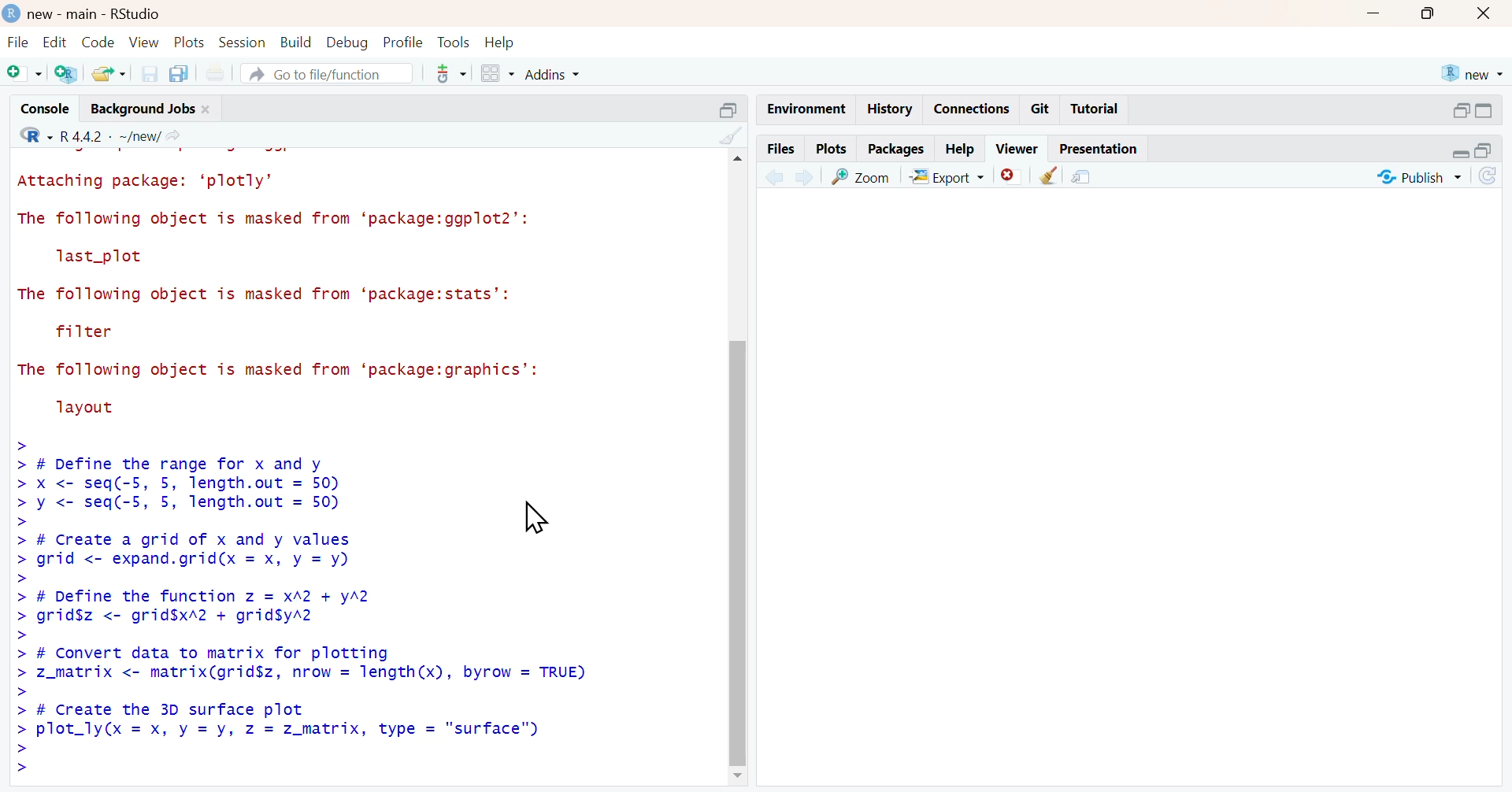 The height and width of the screenshot is (792, 1512). What do you see at coordinates (9, 12) in the screenshot?
I see `logo` at bounding box center [9, 12].